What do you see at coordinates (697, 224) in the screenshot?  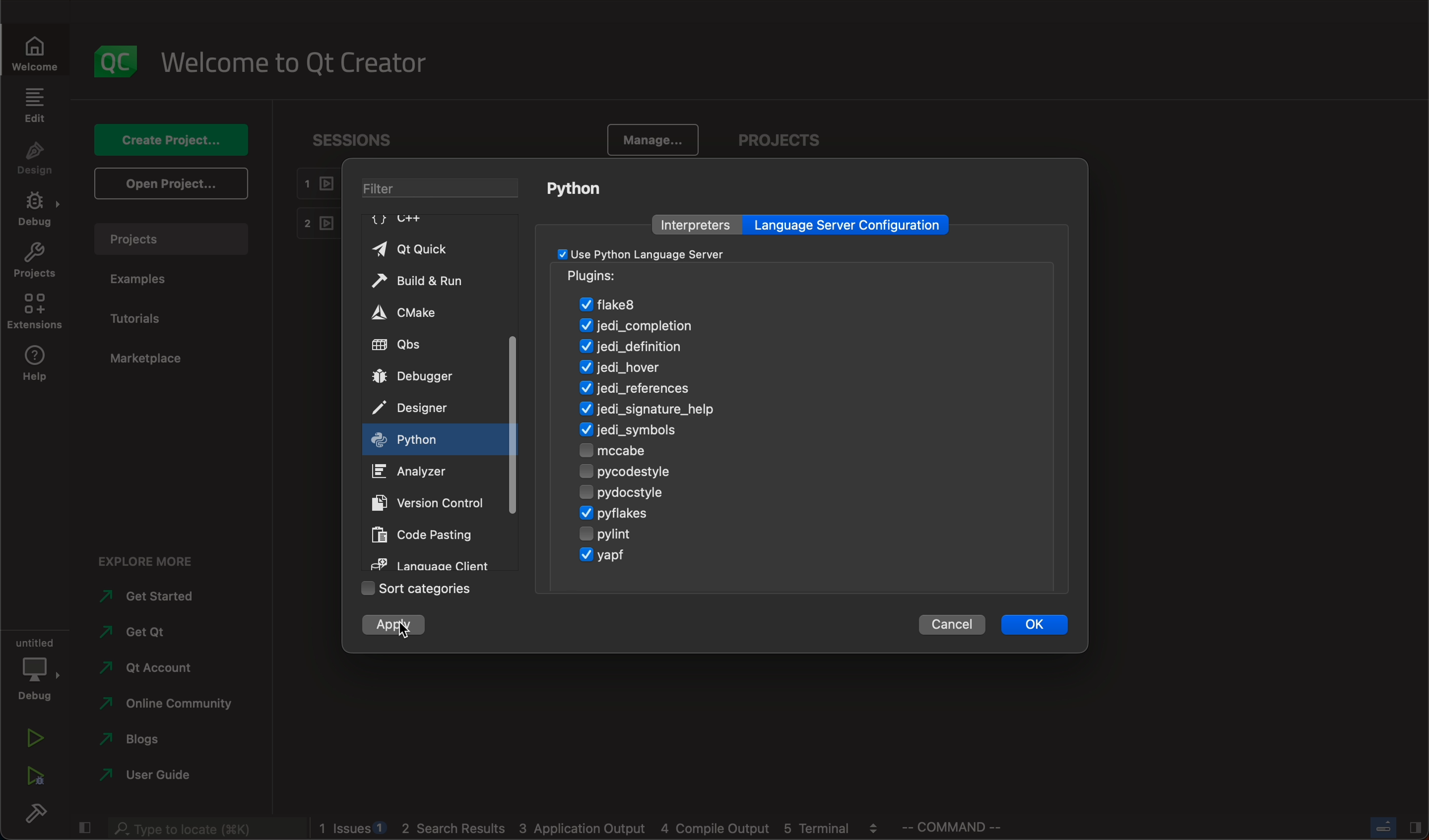 I see `interpreters` at bounding box center [697, 224].